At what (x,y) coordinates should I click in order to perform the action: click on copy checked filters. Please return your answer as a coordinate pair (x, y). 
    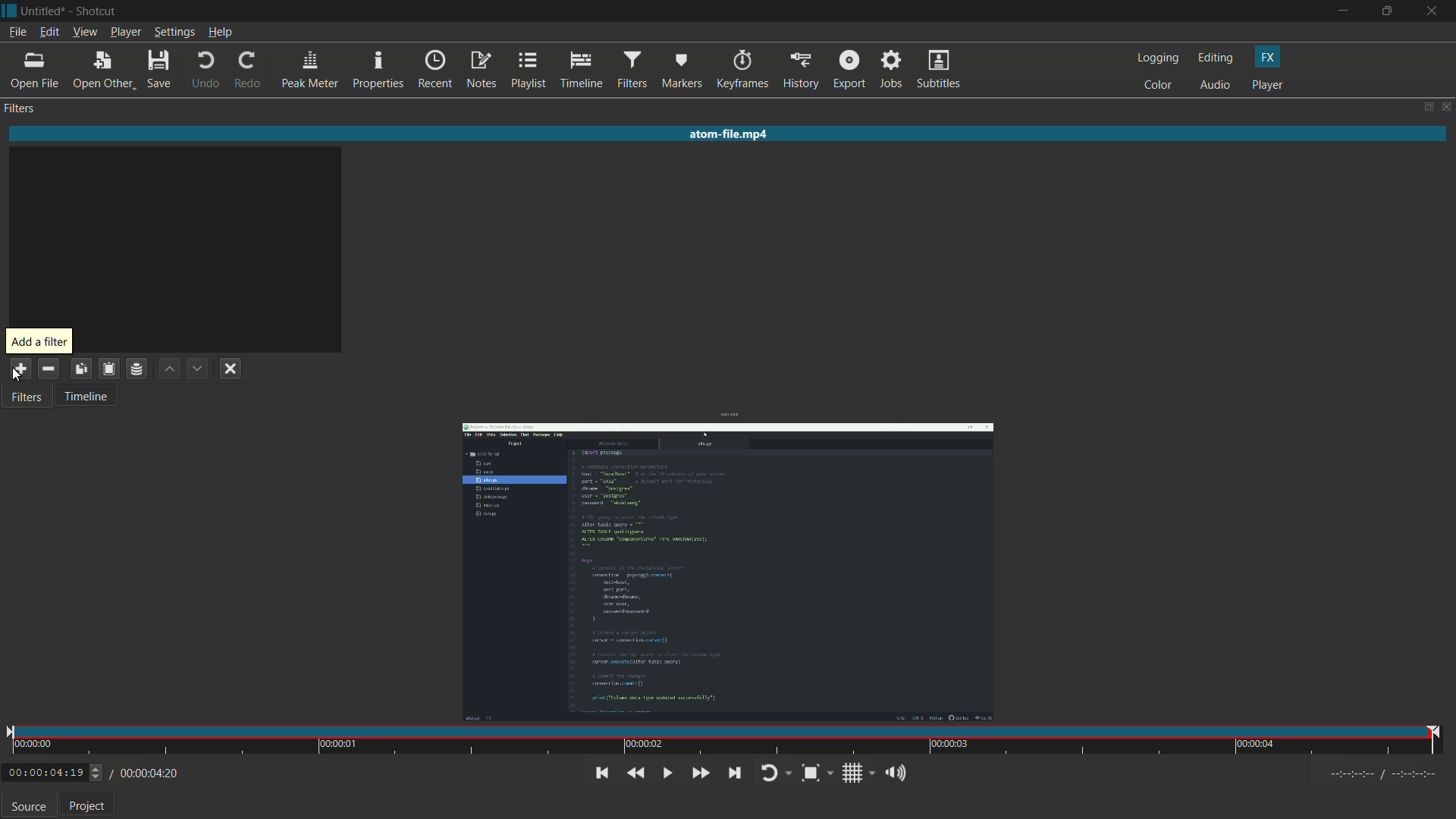
    Looking at the image, I should click on (83, 368).